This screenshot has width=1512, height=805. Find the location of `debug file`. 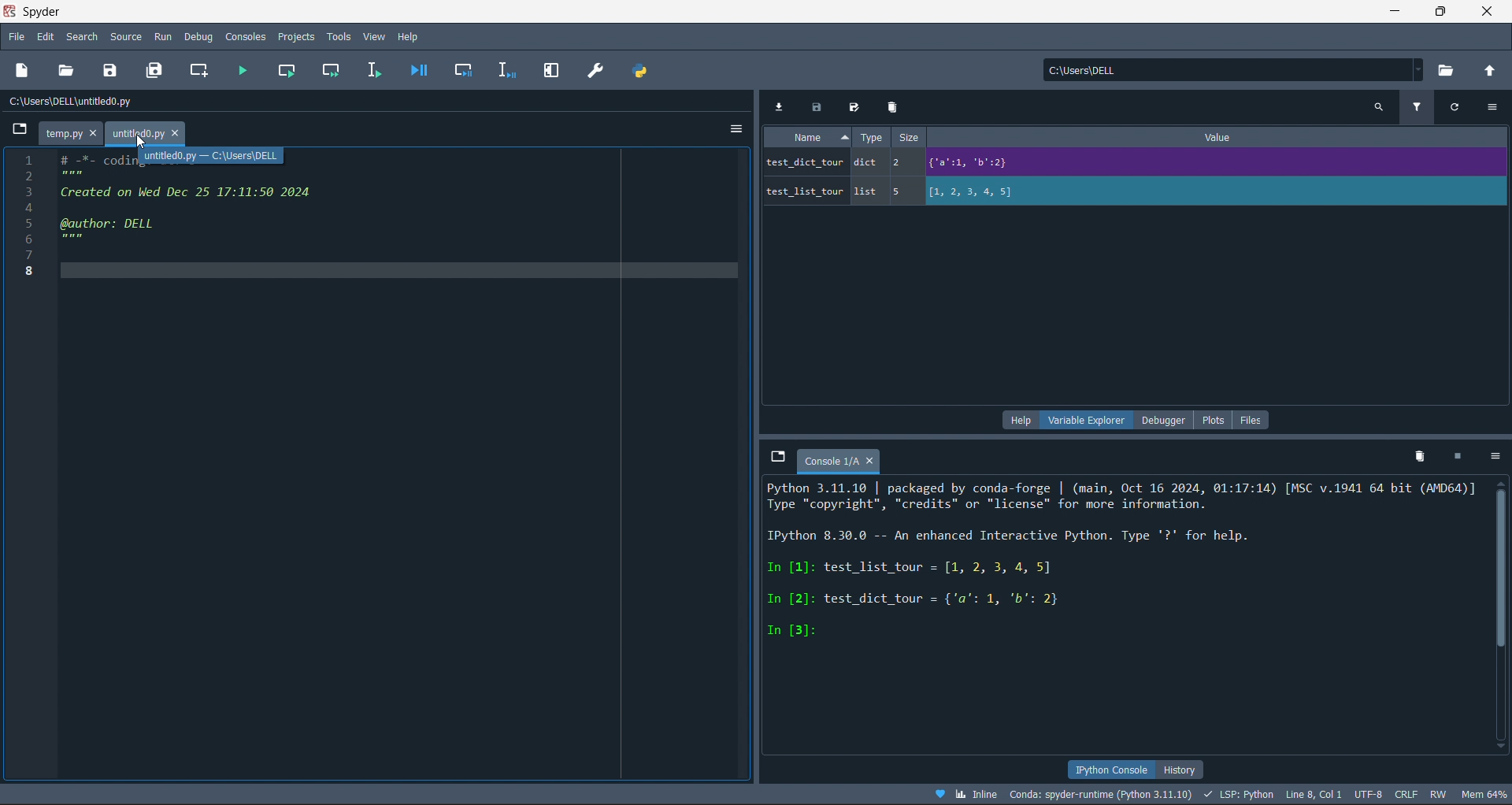

debug file is located at coordinates (420, 71).